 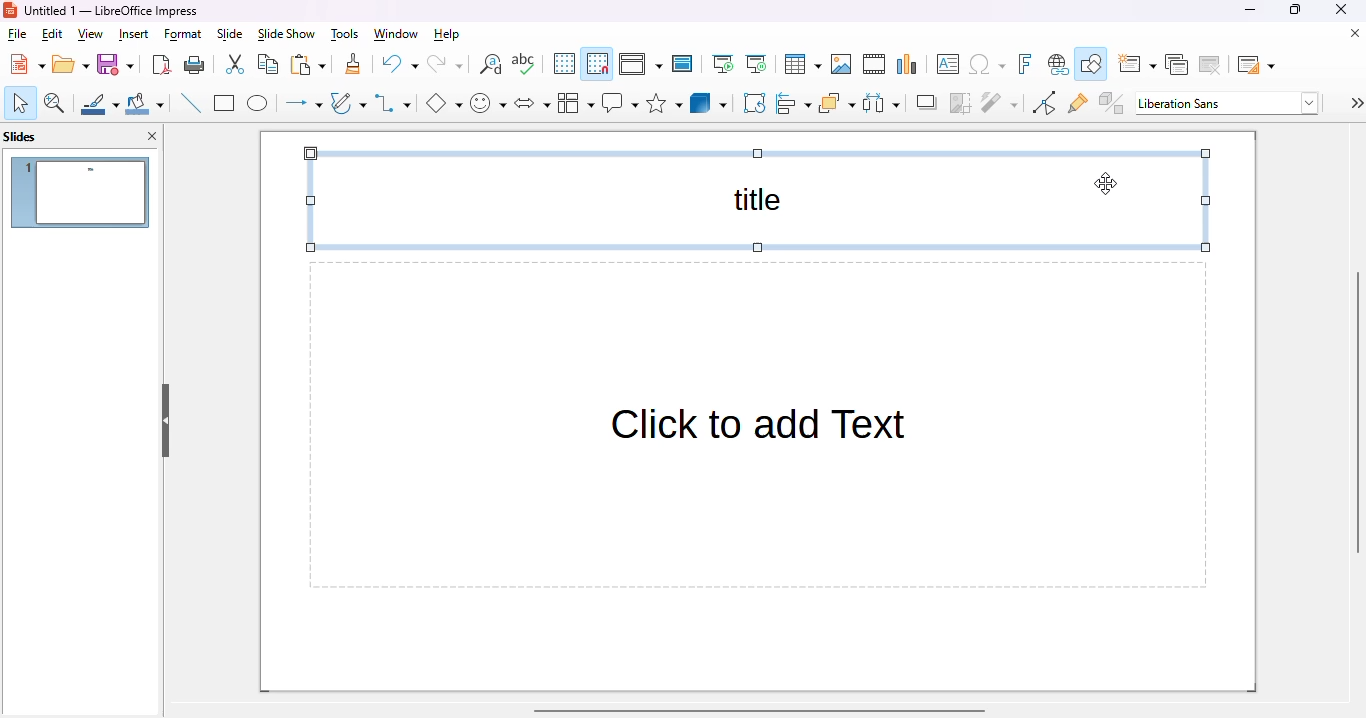 What do you see at coordinates (564, 63) in the screenshot?
I see `display grid` at bounding box center [564, 63].